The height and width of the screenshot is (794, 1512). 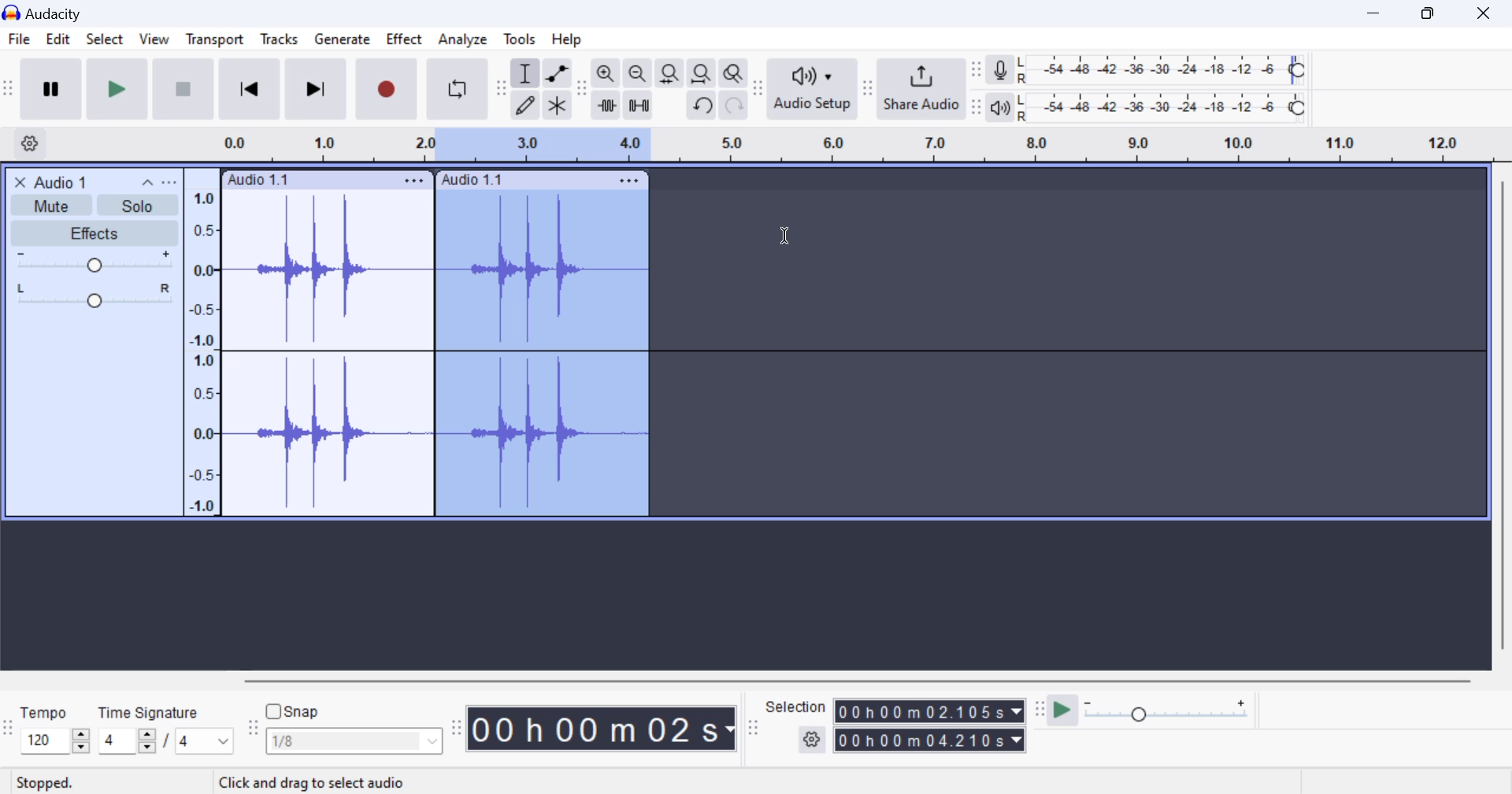 What do you see at coordinates (605, 728) in the screenshot?
I see `Clip Length` at bounding box center [605, 728].